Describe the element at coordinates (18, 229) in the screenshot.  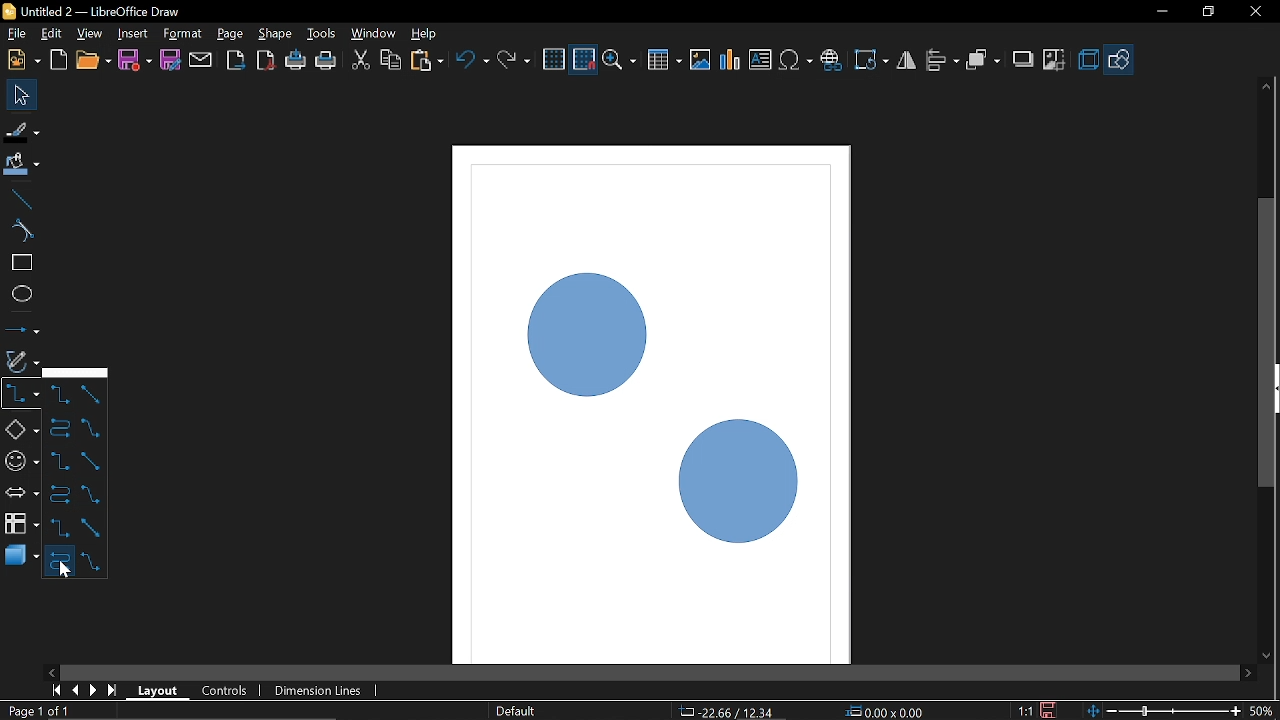
I see `Curve` at that location.